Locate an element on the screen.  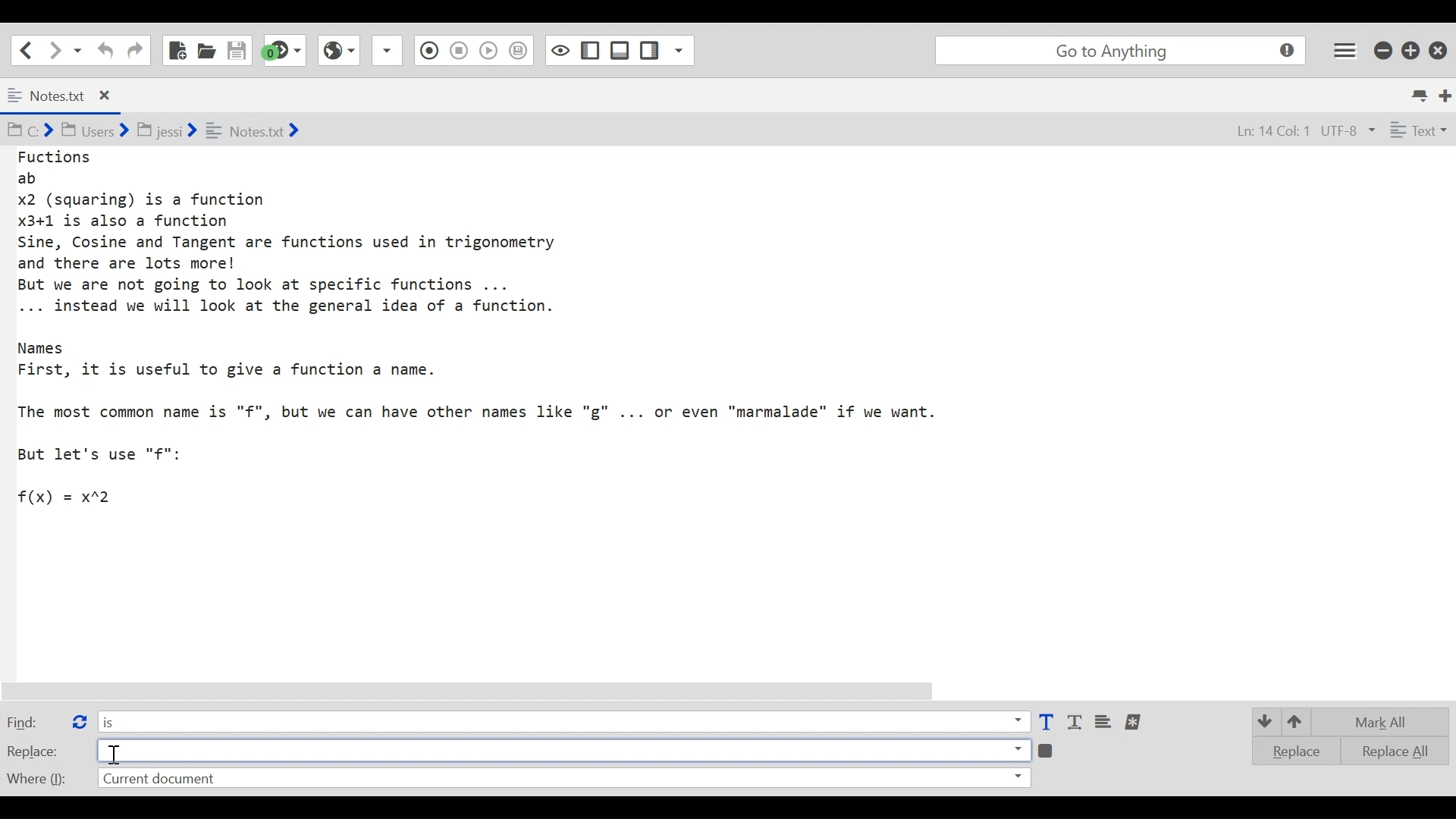
Stop Recording Macro is located at coordinates (427, 52).